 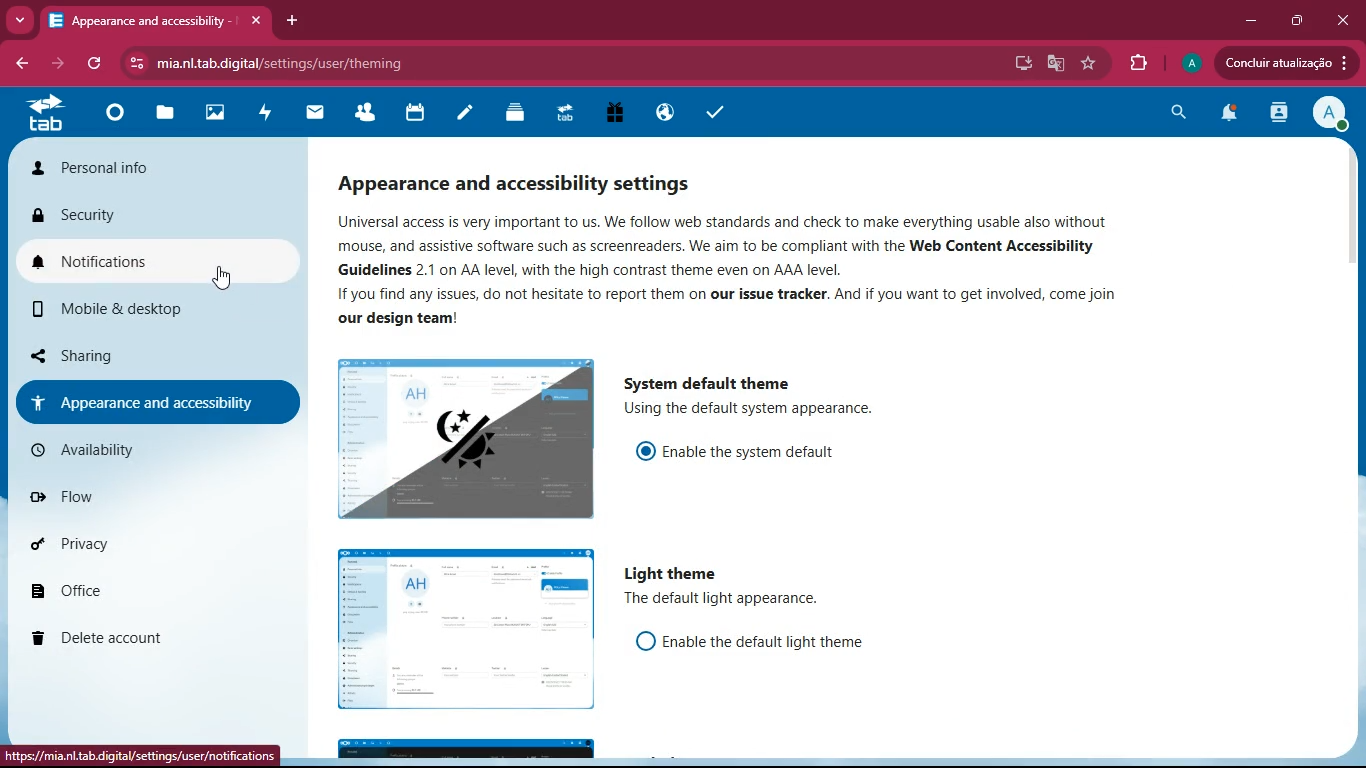 I want to click on gift, so click(x=616, y=114).